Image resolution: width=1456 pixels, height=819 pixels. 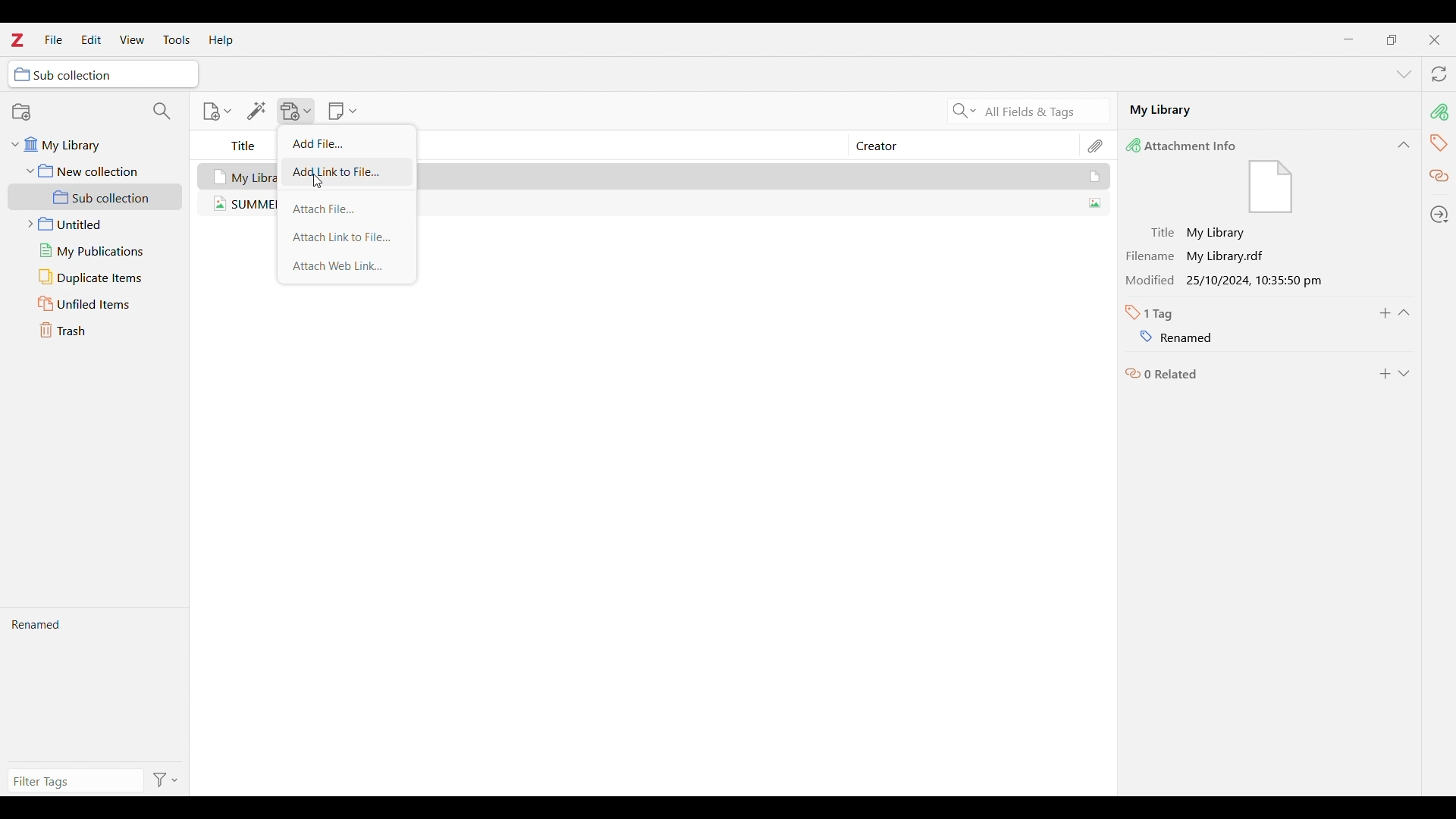 I want to click on maximize, so click(x=1391, y=39).